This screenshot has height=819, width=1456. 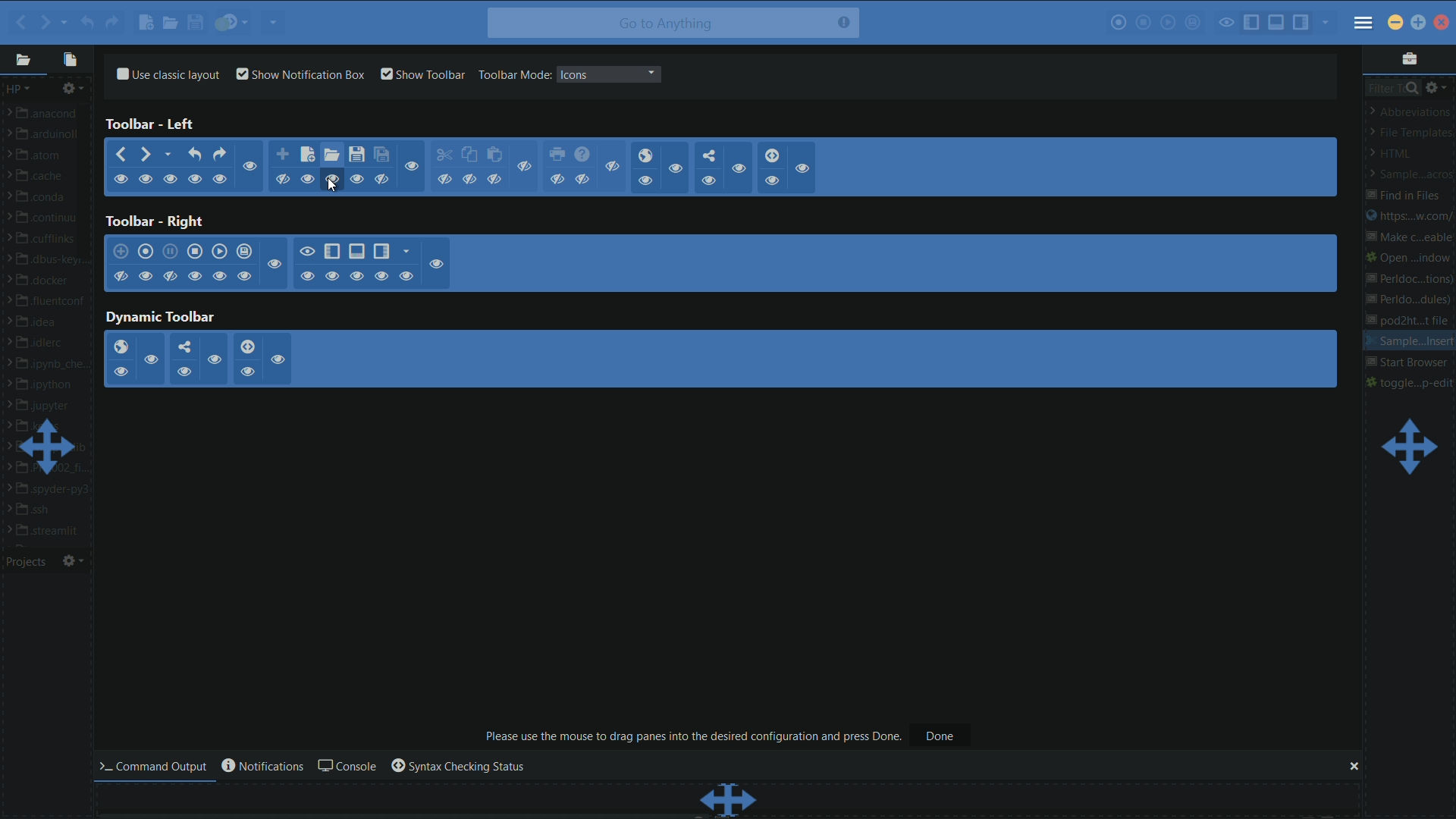 I want to click on show/hide, so click(x=645, y=180).